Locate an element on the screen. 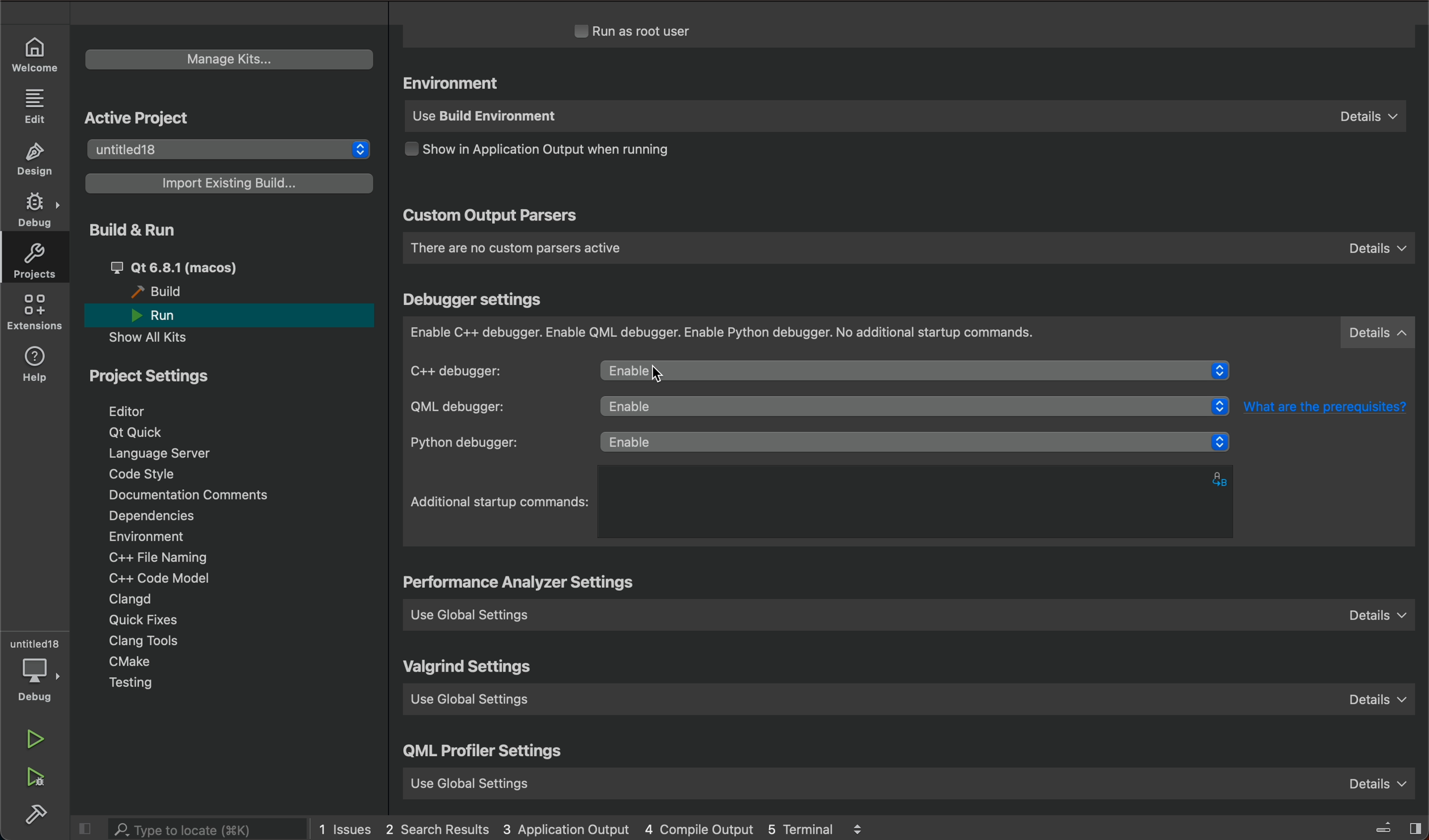 The image size is (1429, 840). output is located at coordinates (557, 152).